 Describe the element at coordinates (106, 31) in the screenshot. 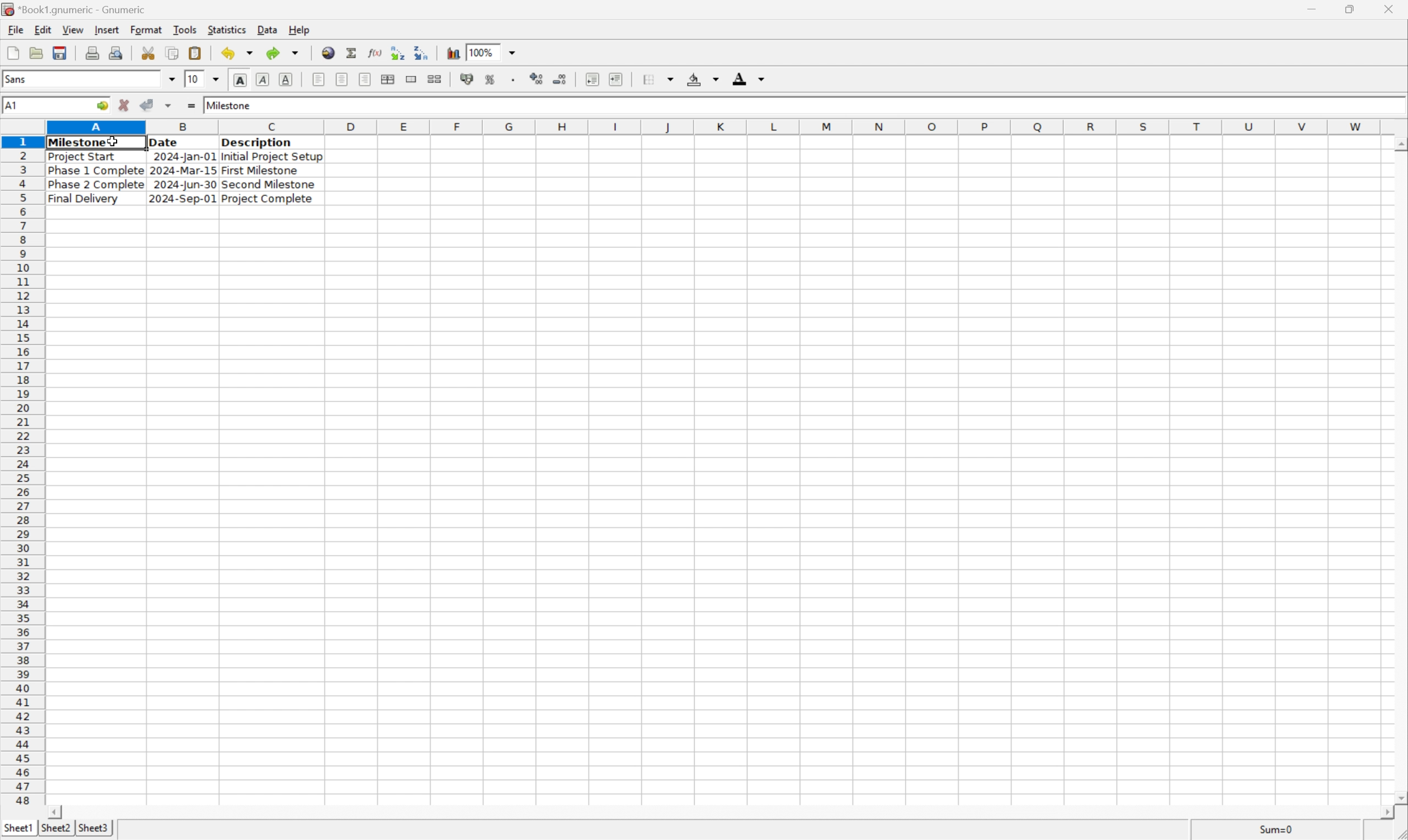

I see `insert` at that location.